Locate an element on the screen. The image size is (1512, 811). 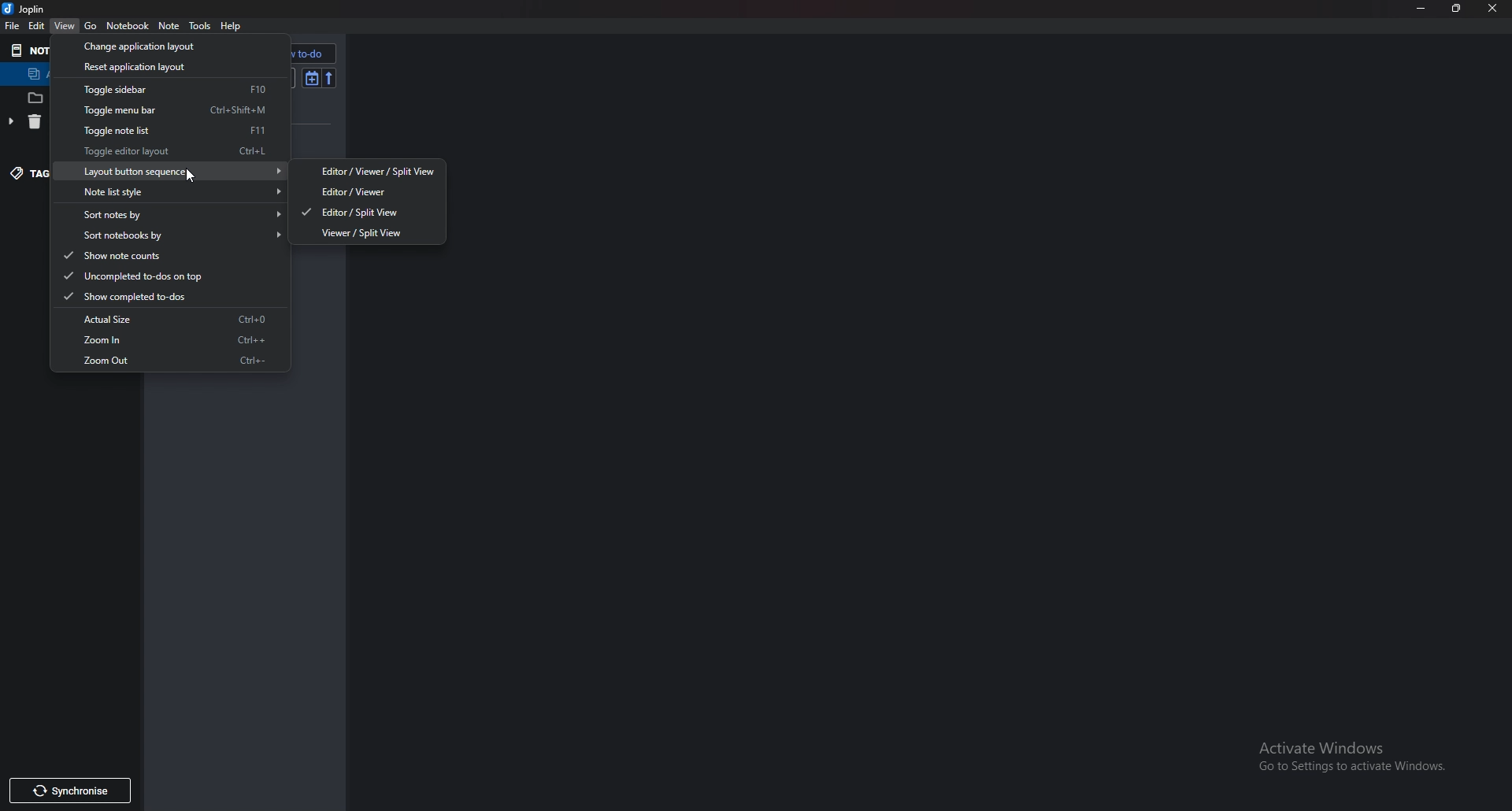
Toggle menu bar is located at coordinates (169, 109).